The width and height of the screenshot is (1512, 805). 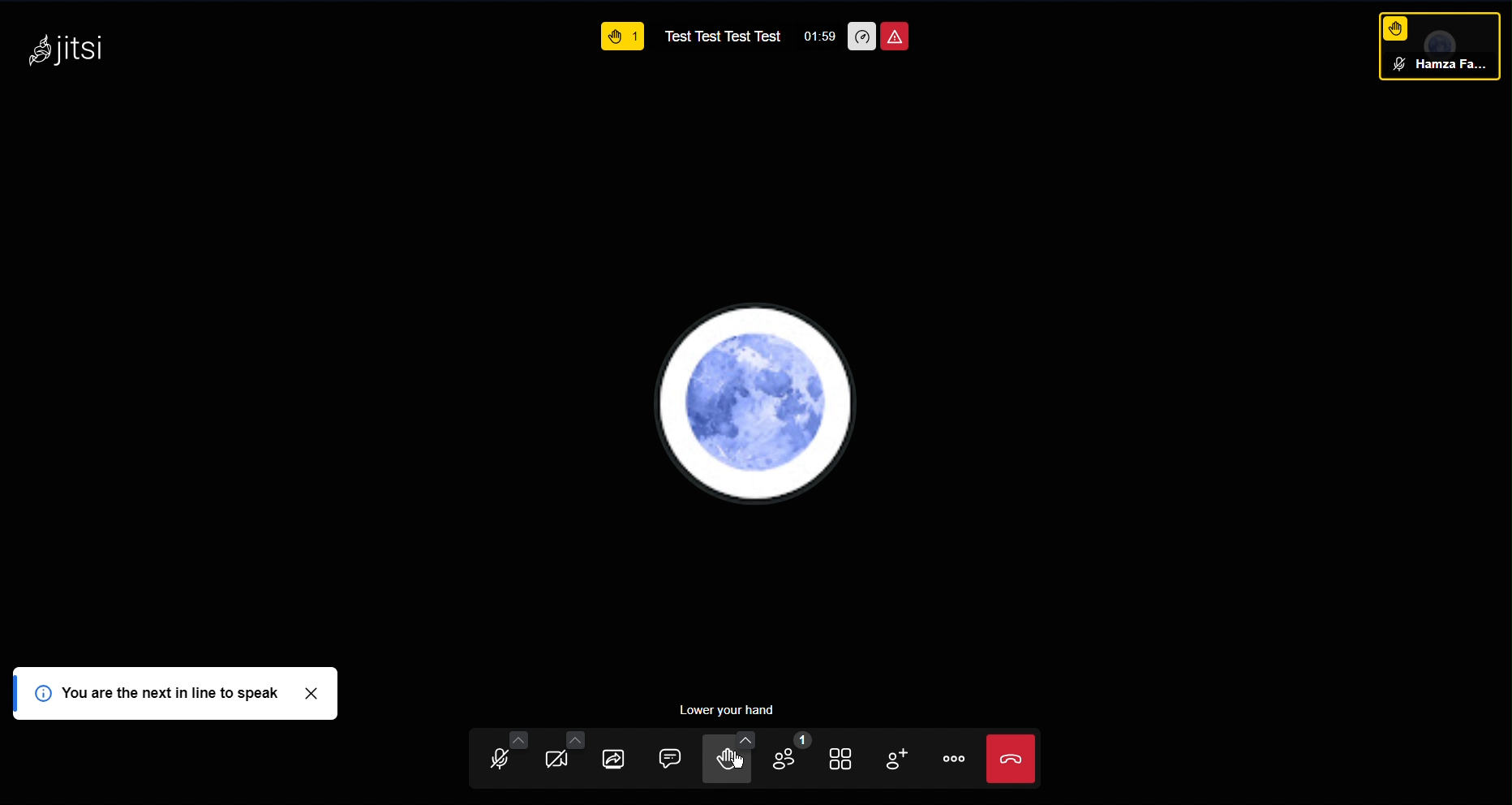 I want to click on Test Test Test Test, so click(x=723, y=37).